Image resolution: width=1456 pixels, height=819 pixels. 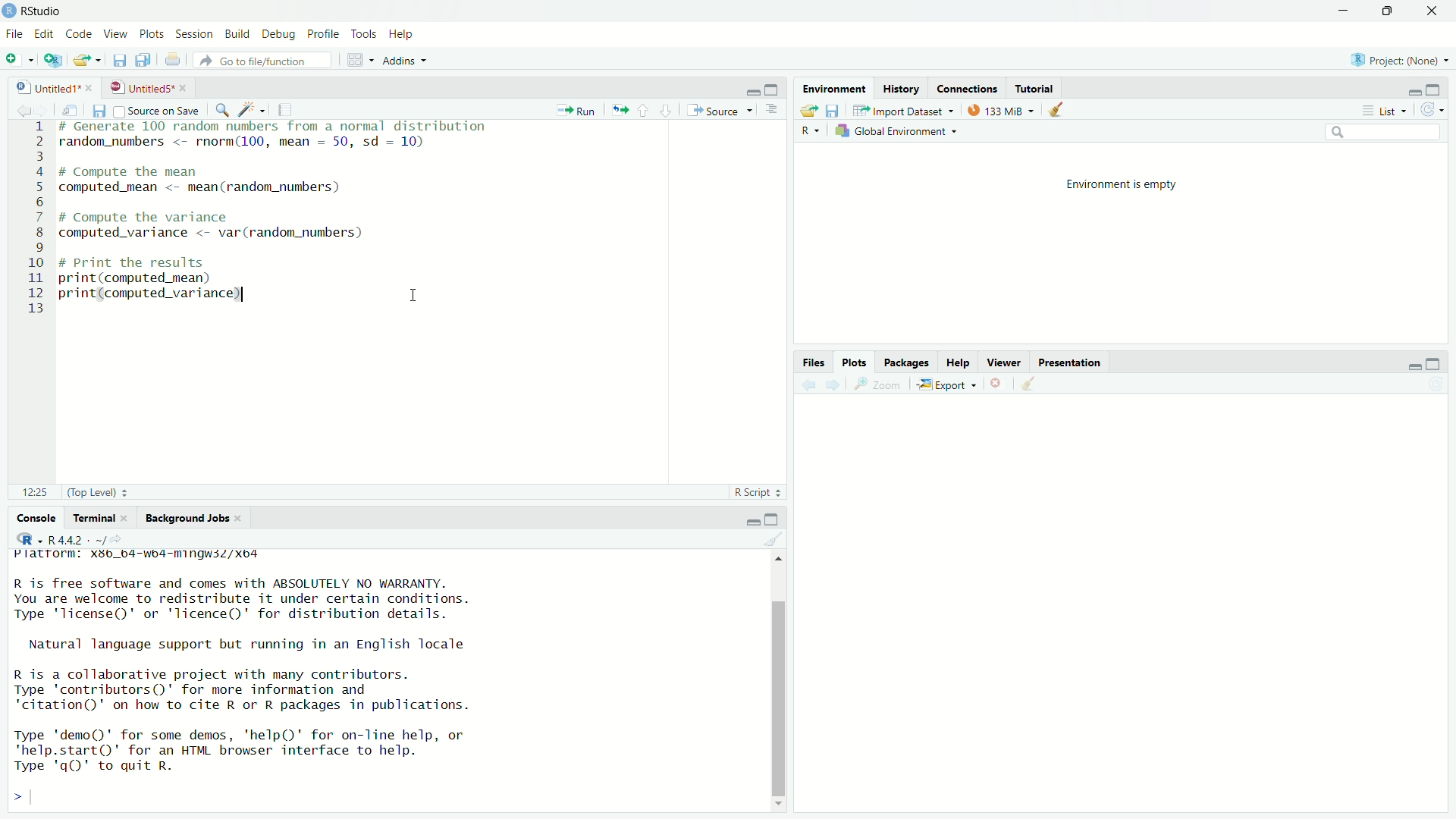 I want to click on scrollbar, so click(x=776, y=688).